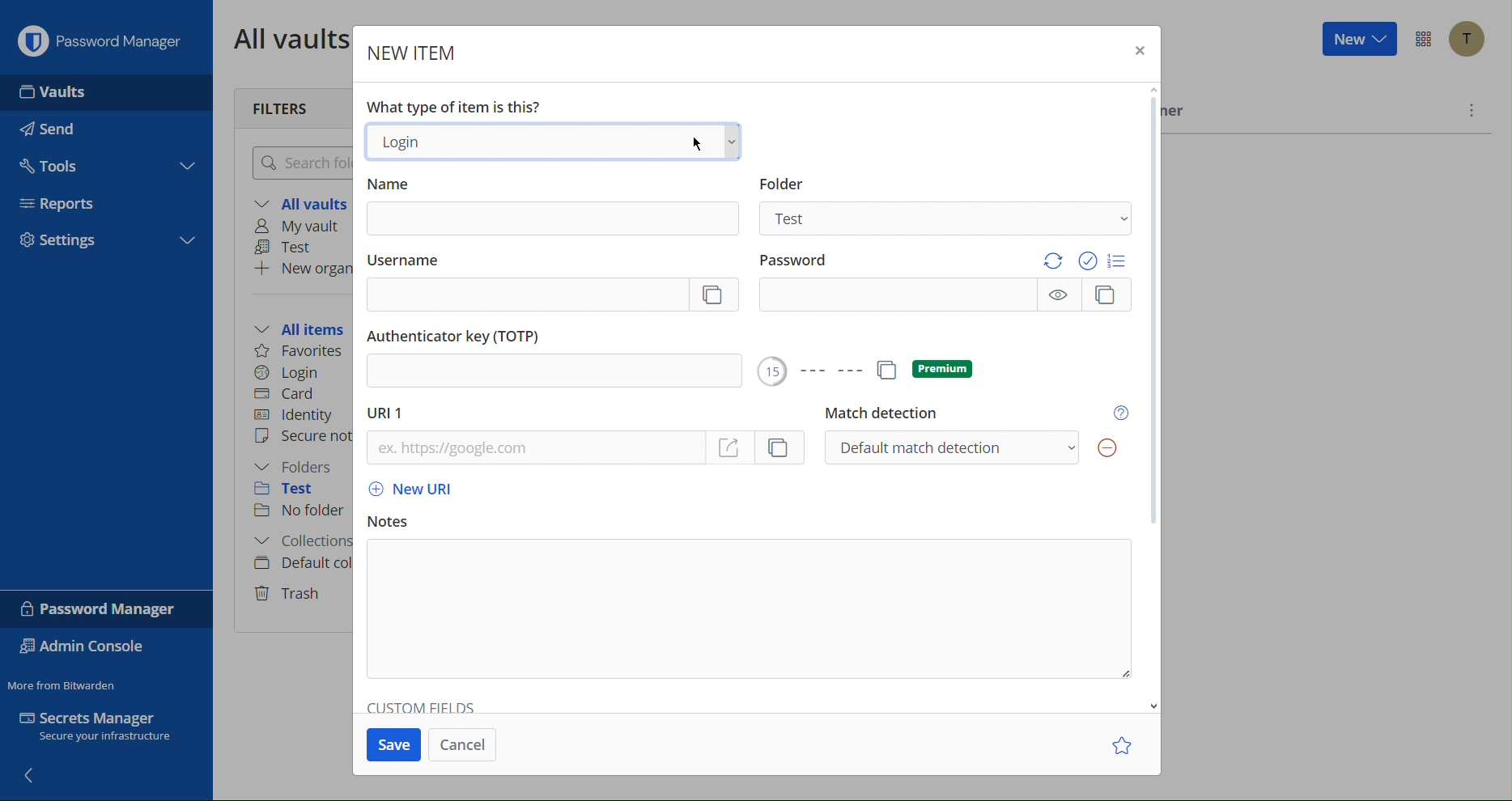 The width and height of the screenshot is (1512, 801). What do you see at coordinates (289, 246) in the screenshot?
I see `Test` at bounding box center [289, 246].